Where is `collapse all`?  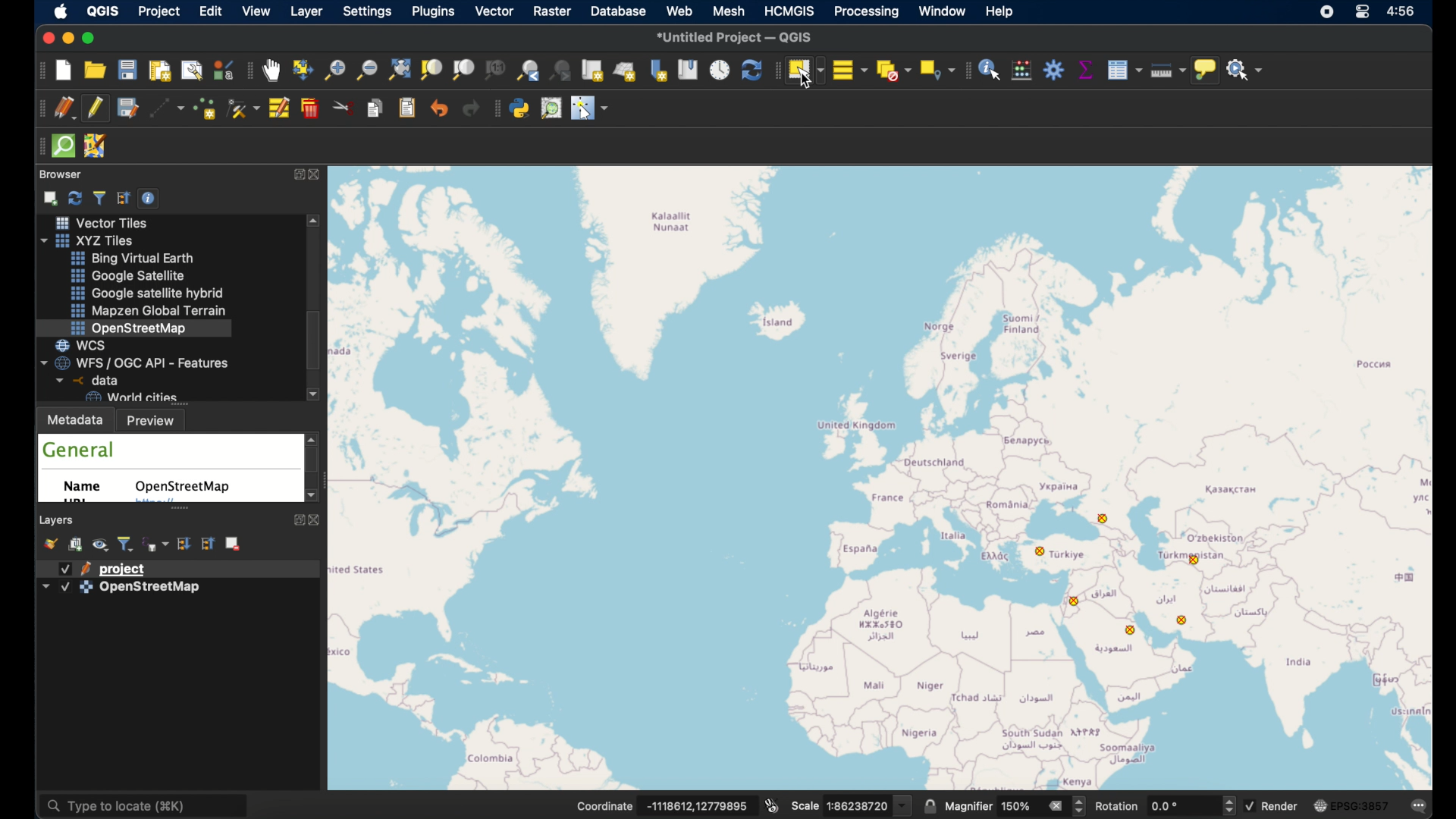 collapse all is located at coordinates (207, 543).